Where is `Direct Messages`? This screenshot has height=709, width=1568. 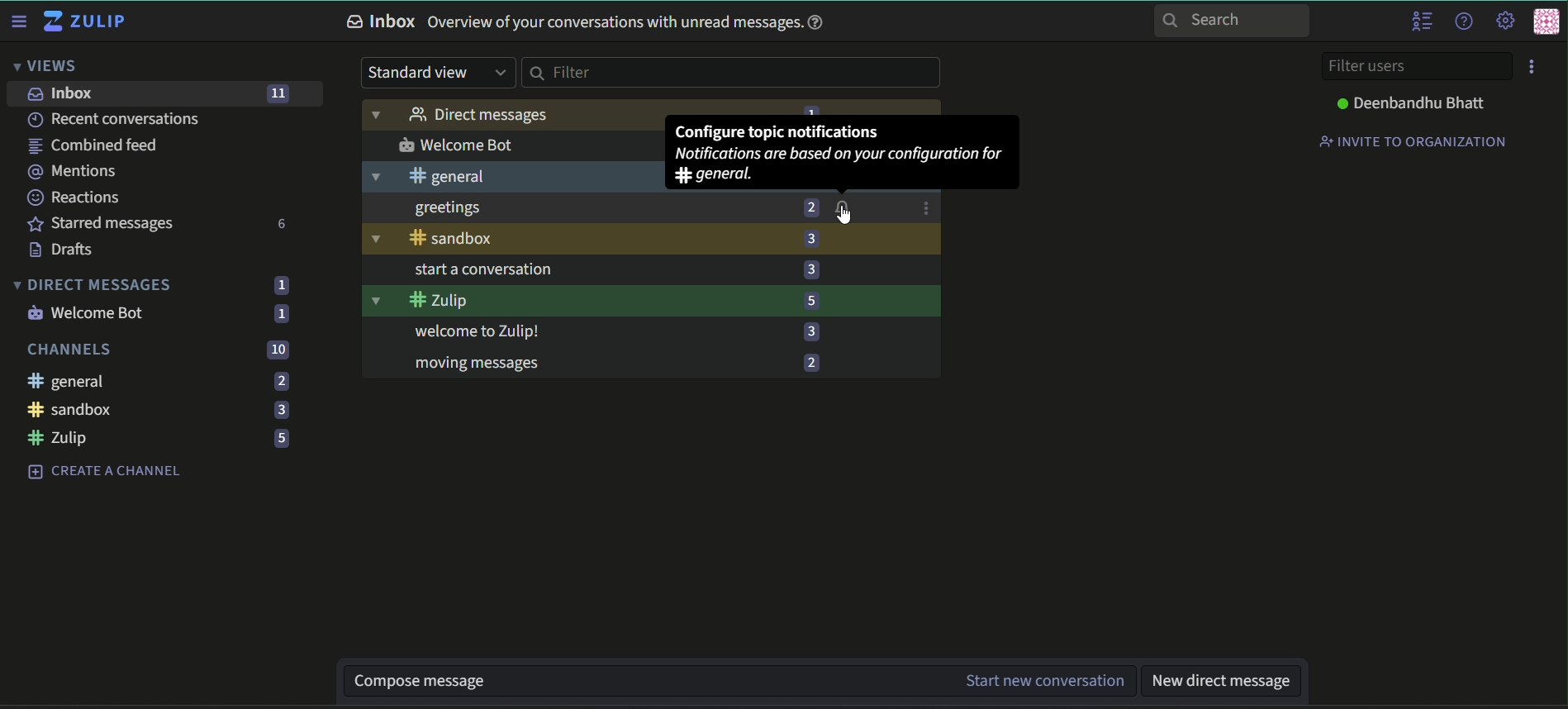
Direct Messages is located at coordinates (93, 284).